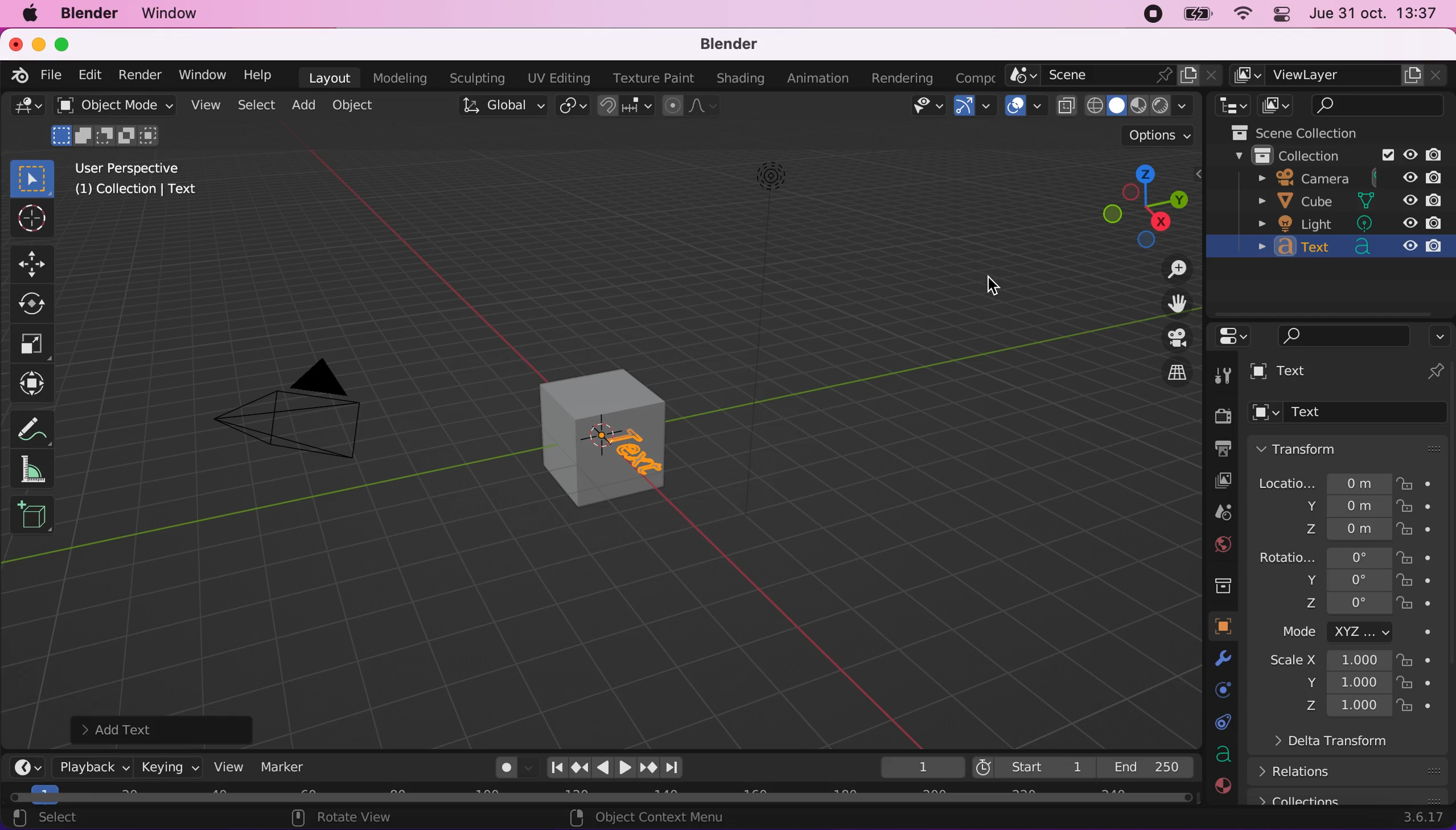 The width and height of the screenshot is (1456, 830). What do you see at coordinates (818, 78) in the screenshot?
I see `animation` at bounding box center [818, 78].